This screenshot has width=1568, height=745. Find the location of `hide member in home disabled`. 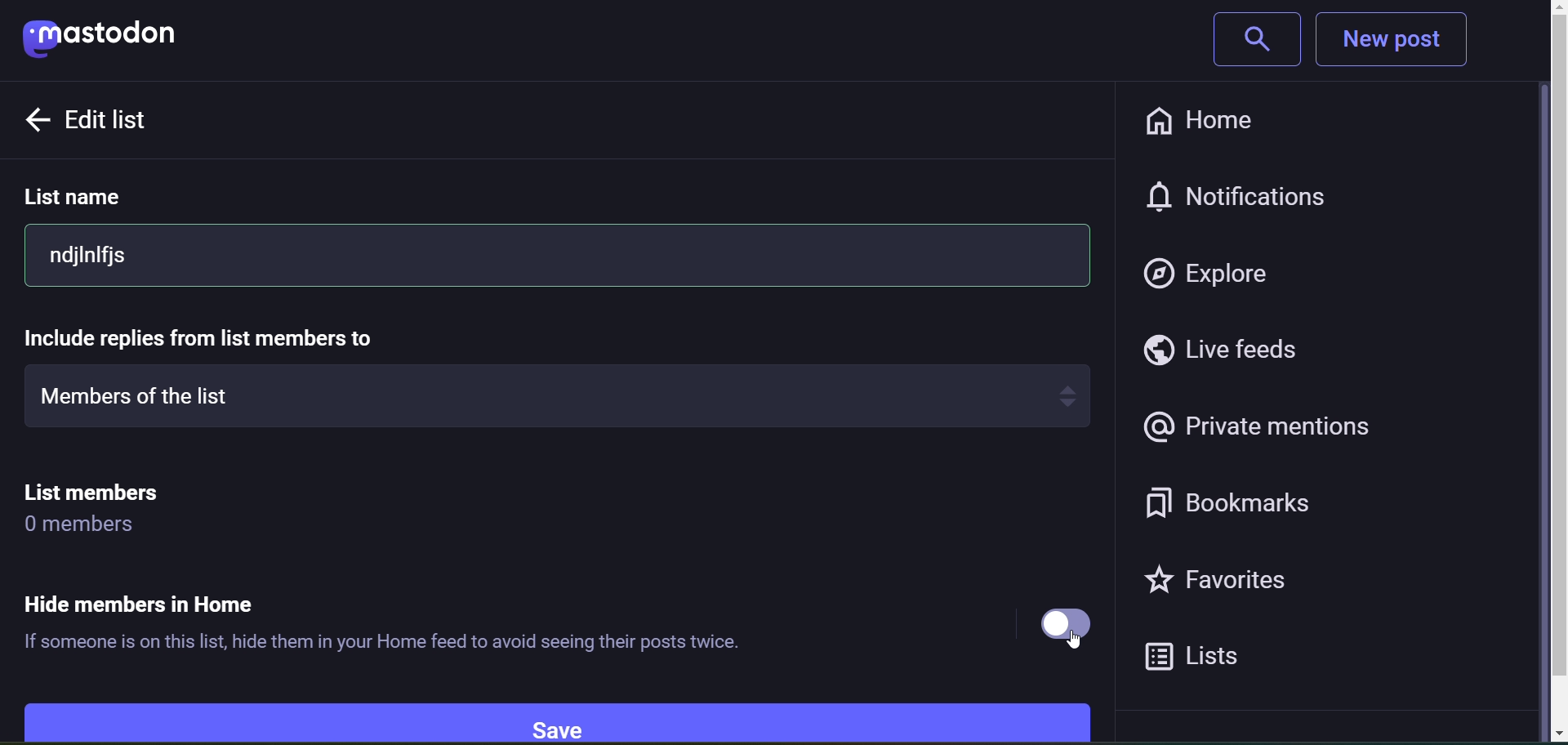

hide member in home disabled is located at coordinates (1059, 621).